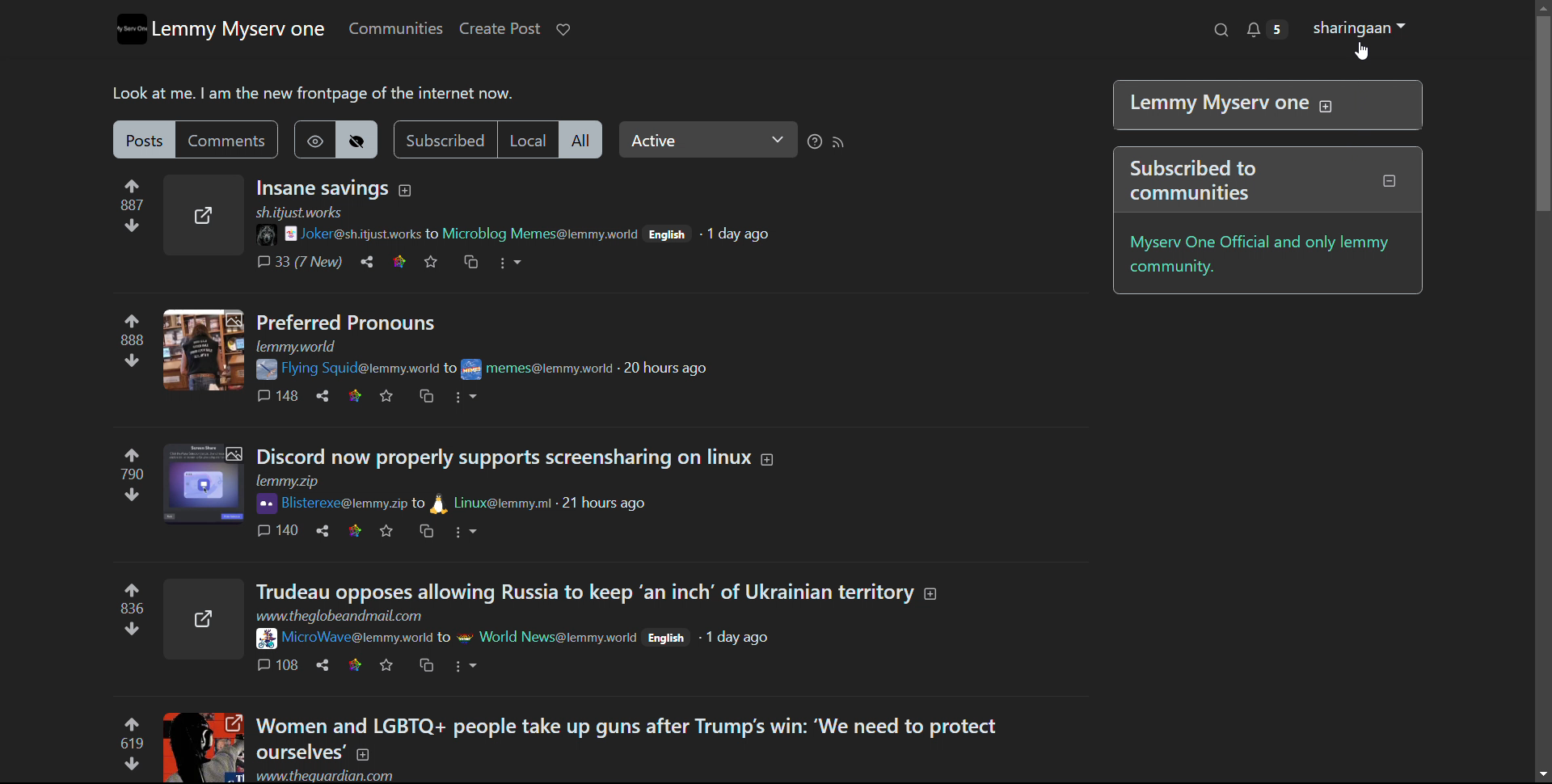 This screenshot has width=1552, height=784. Describe the element at coordinates (133, 208) in the screenshot. I see `upvote and downvotes` at that location.